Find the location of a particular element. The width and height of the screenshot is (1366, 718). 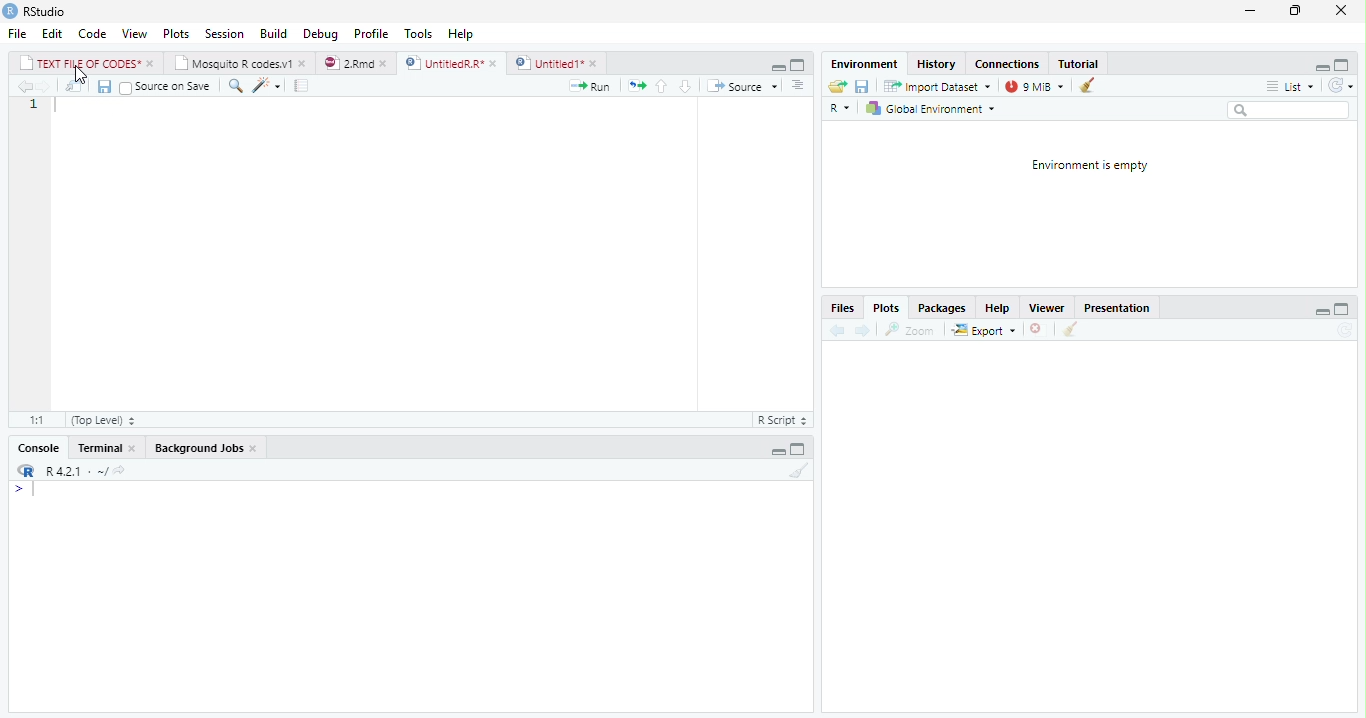

go to previous section/chunk is located at coordinates (661, 86).